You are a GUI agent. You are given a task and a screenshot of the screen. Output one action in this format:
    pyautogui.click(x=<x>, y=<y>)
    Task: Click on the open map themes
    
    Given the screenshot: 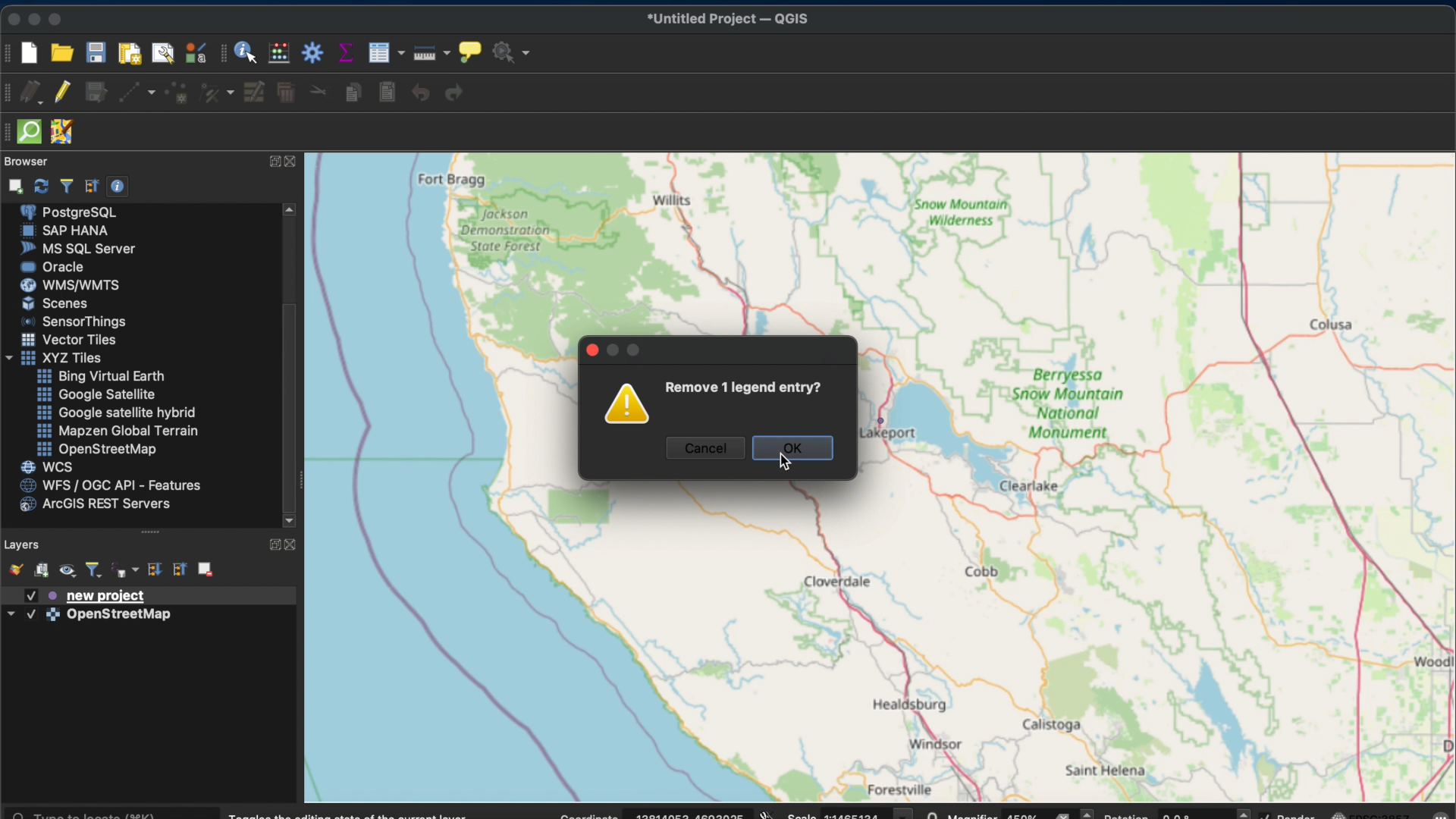 What is the action you would take?
    pyautogui.click(x=67, y=572)
    